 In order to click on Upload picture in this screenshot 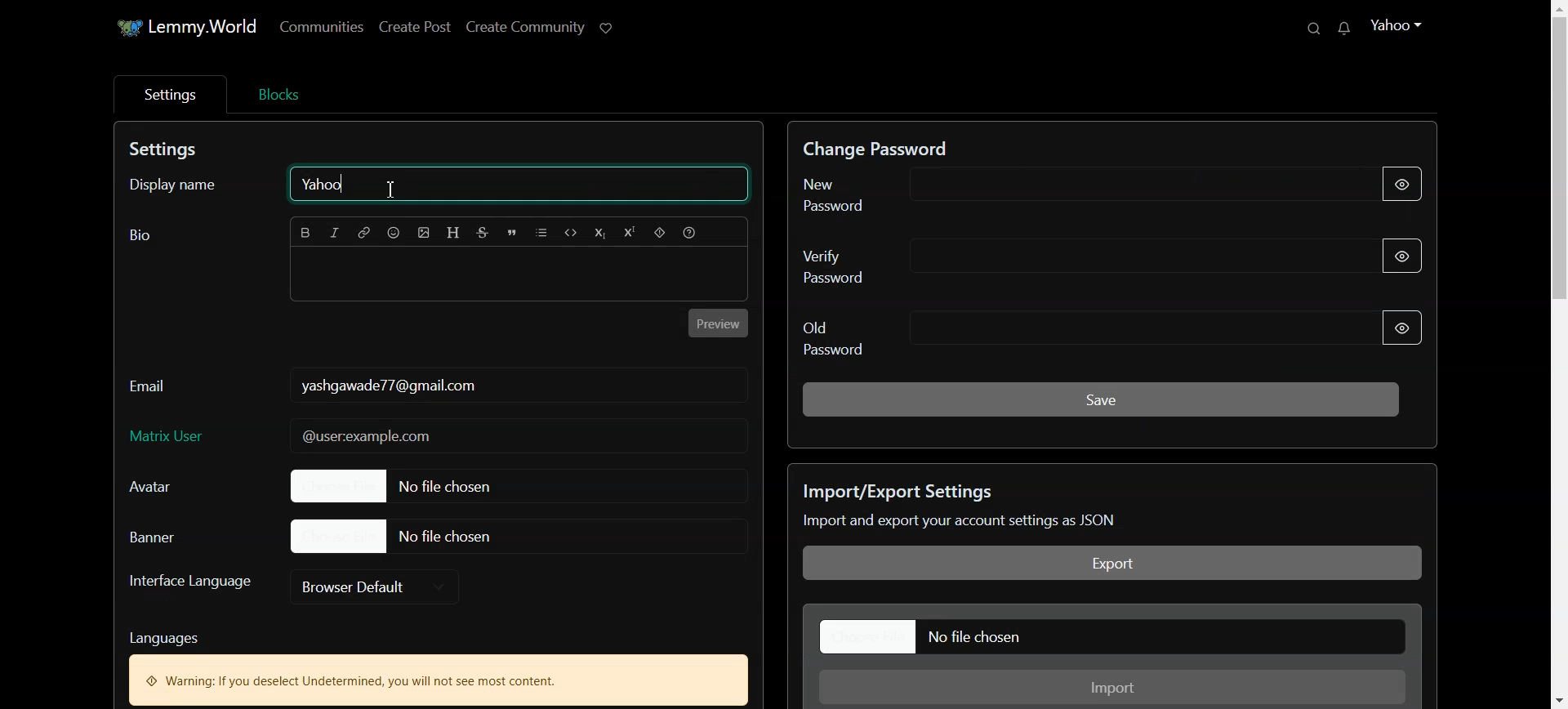, I will do `click(425, 233)`.